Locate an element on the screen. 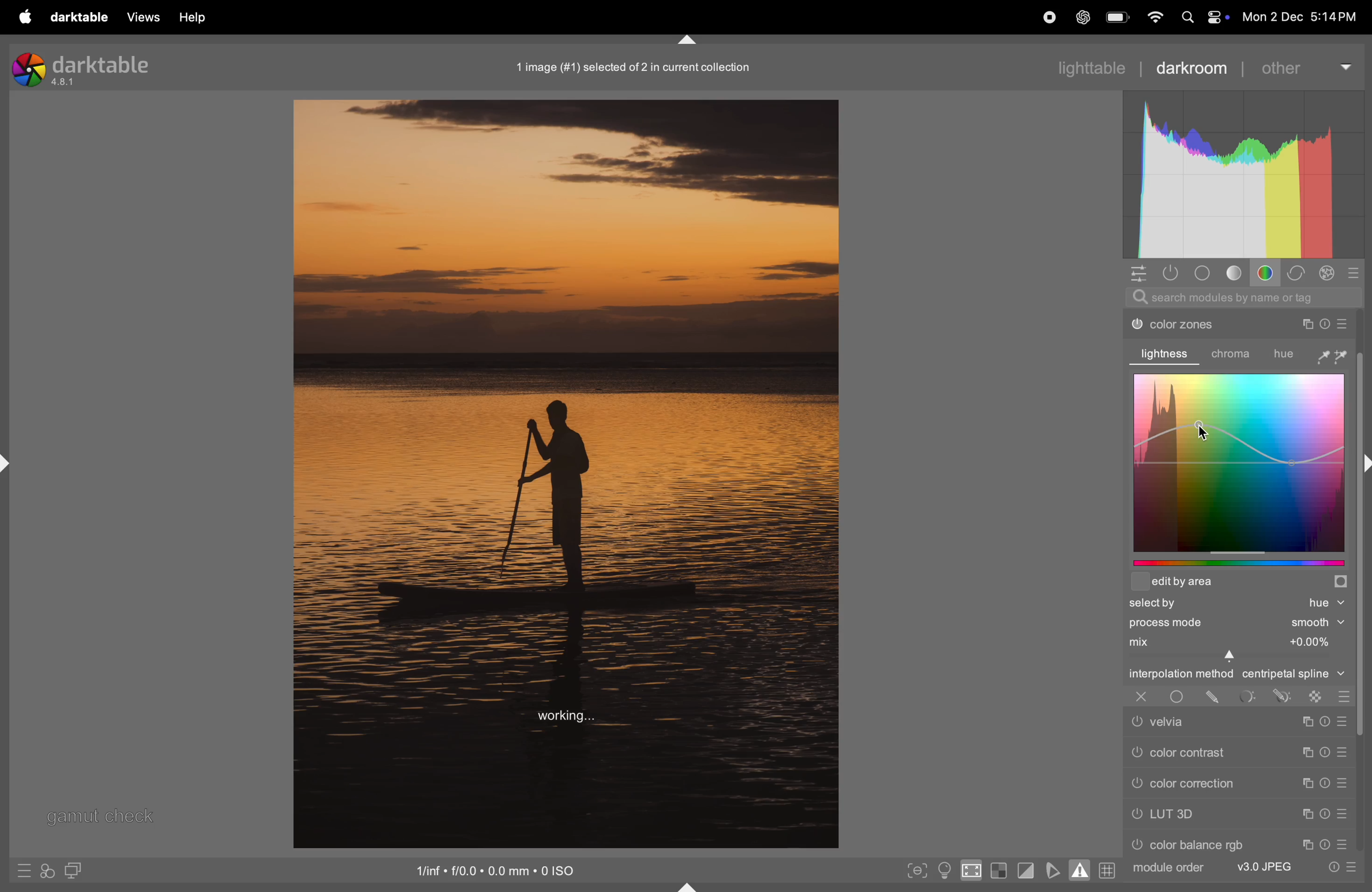 The width and height of the screenshot is (1372, 892). preset is located at coordinates (1342, 753).